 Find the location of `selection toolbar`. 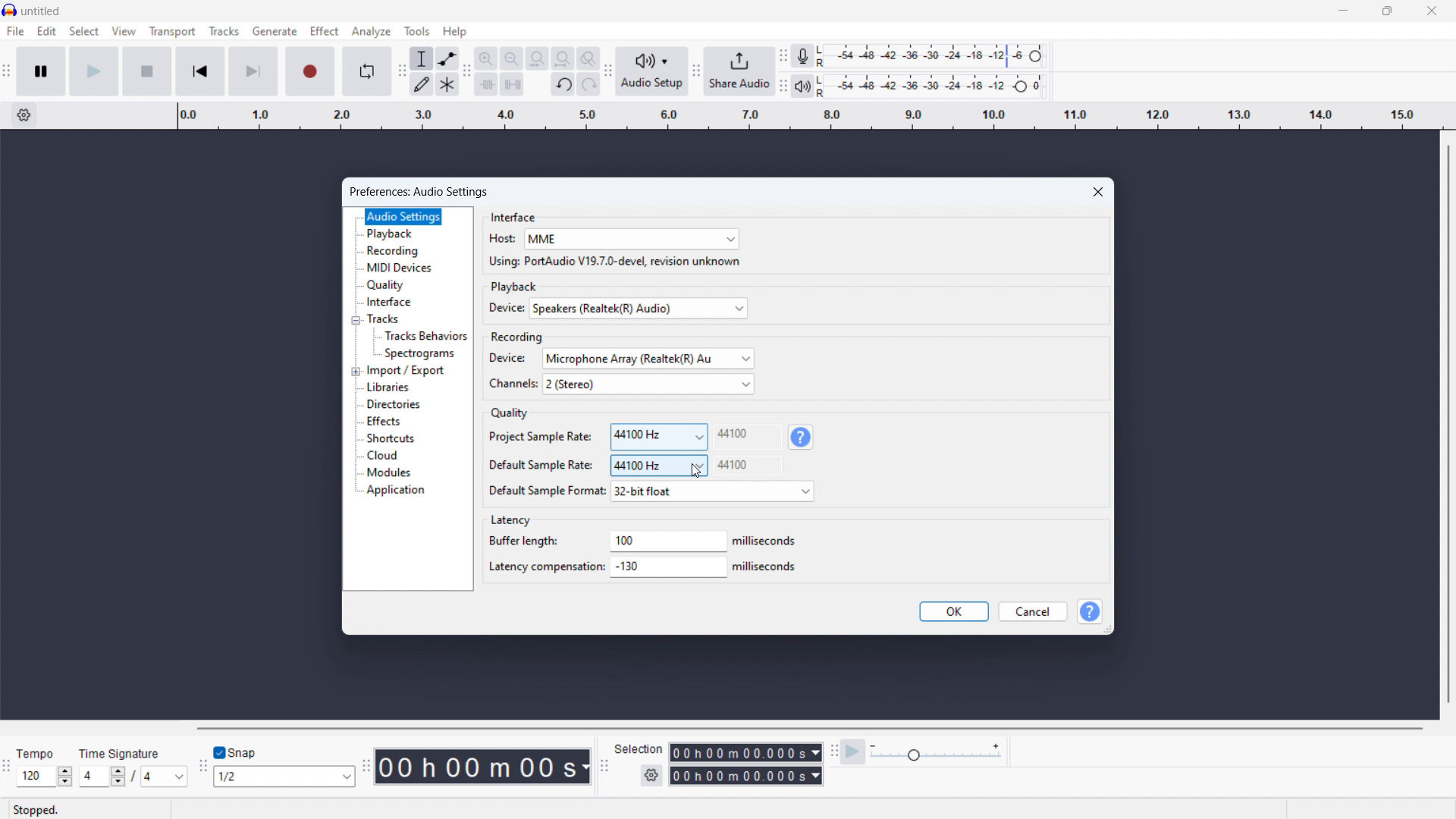

selection toolbar is located at coordinates (604, 767).